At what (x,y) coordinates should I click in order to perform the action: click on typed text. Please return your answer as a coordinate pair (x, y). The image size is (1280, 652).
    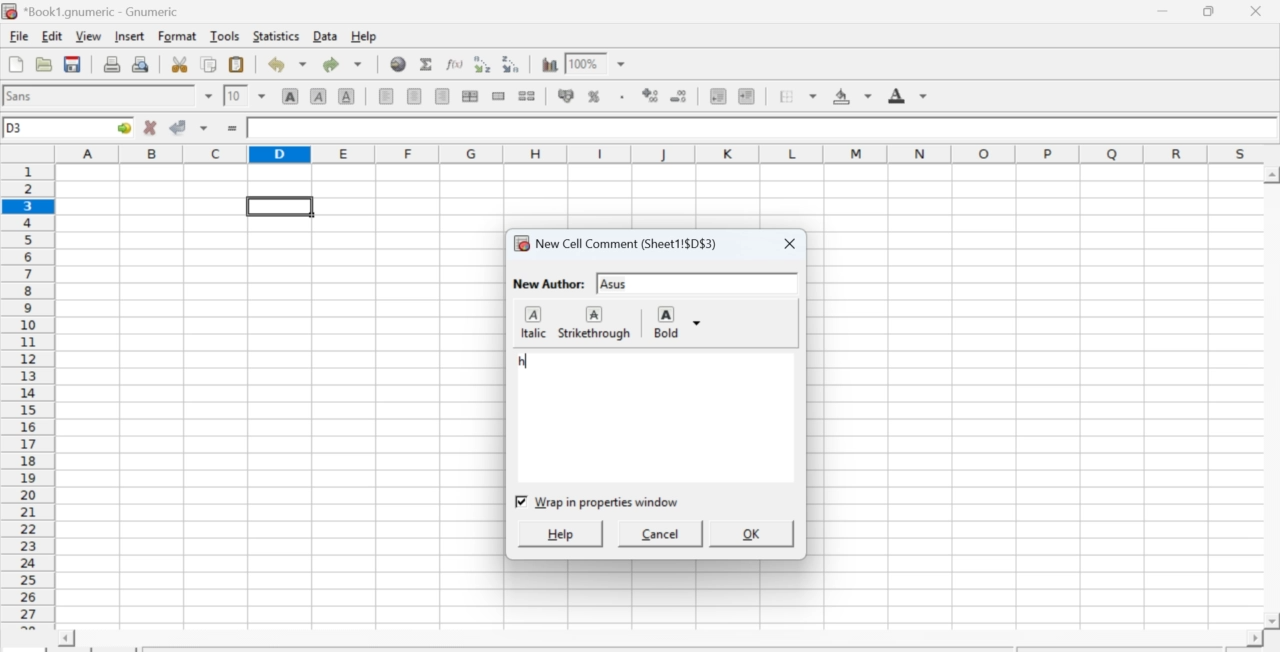
    Looking at the image, I should click on (525, 363).